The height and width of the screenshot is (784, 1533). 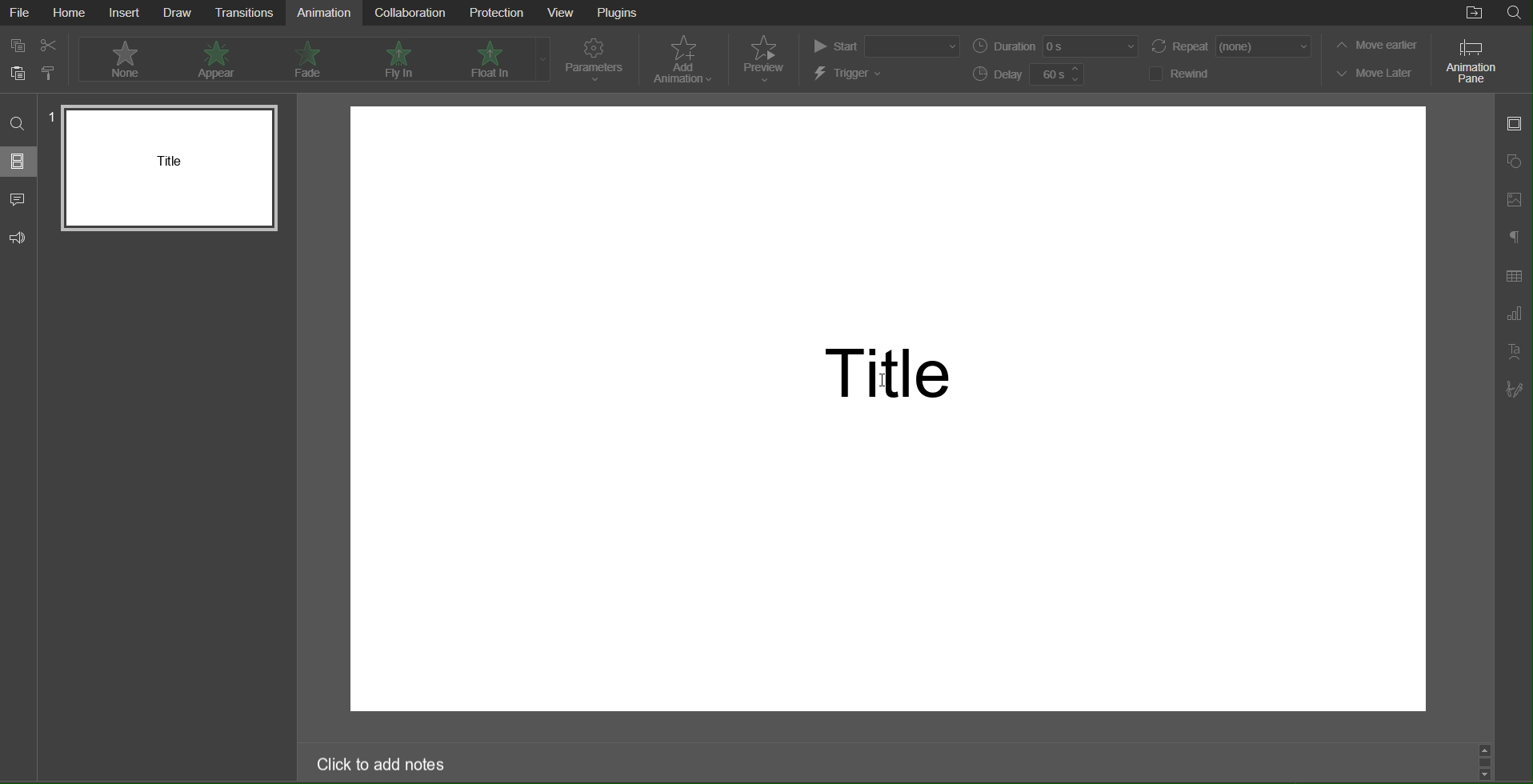 What do you see at coordinates (597, 61) in the screenshot?
I see `Parameters` at bounding box center [597, 61].